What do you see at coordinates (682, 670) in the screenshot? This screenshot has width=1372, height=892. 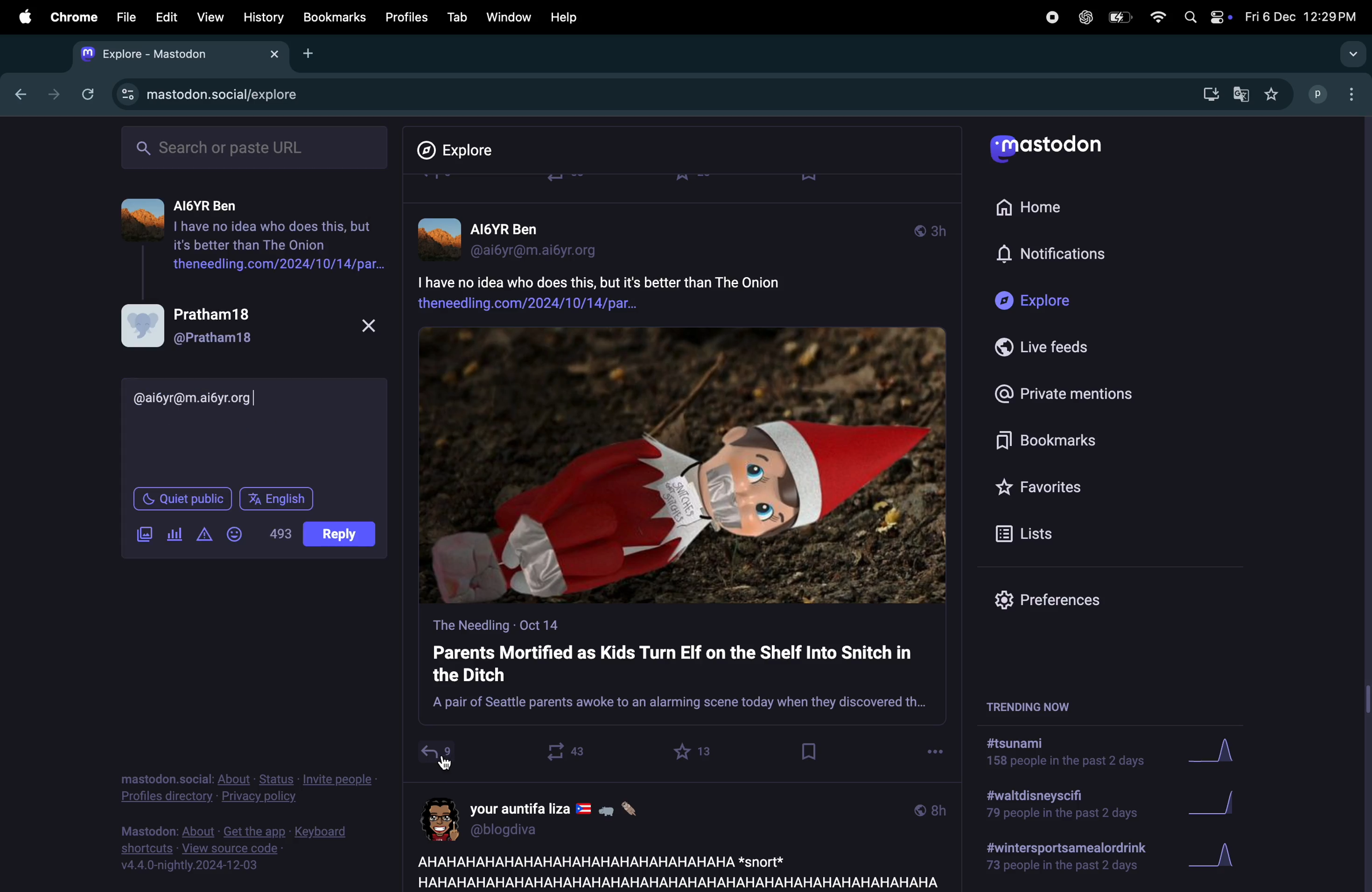 I see `post box` at bounding box center [682, 670].